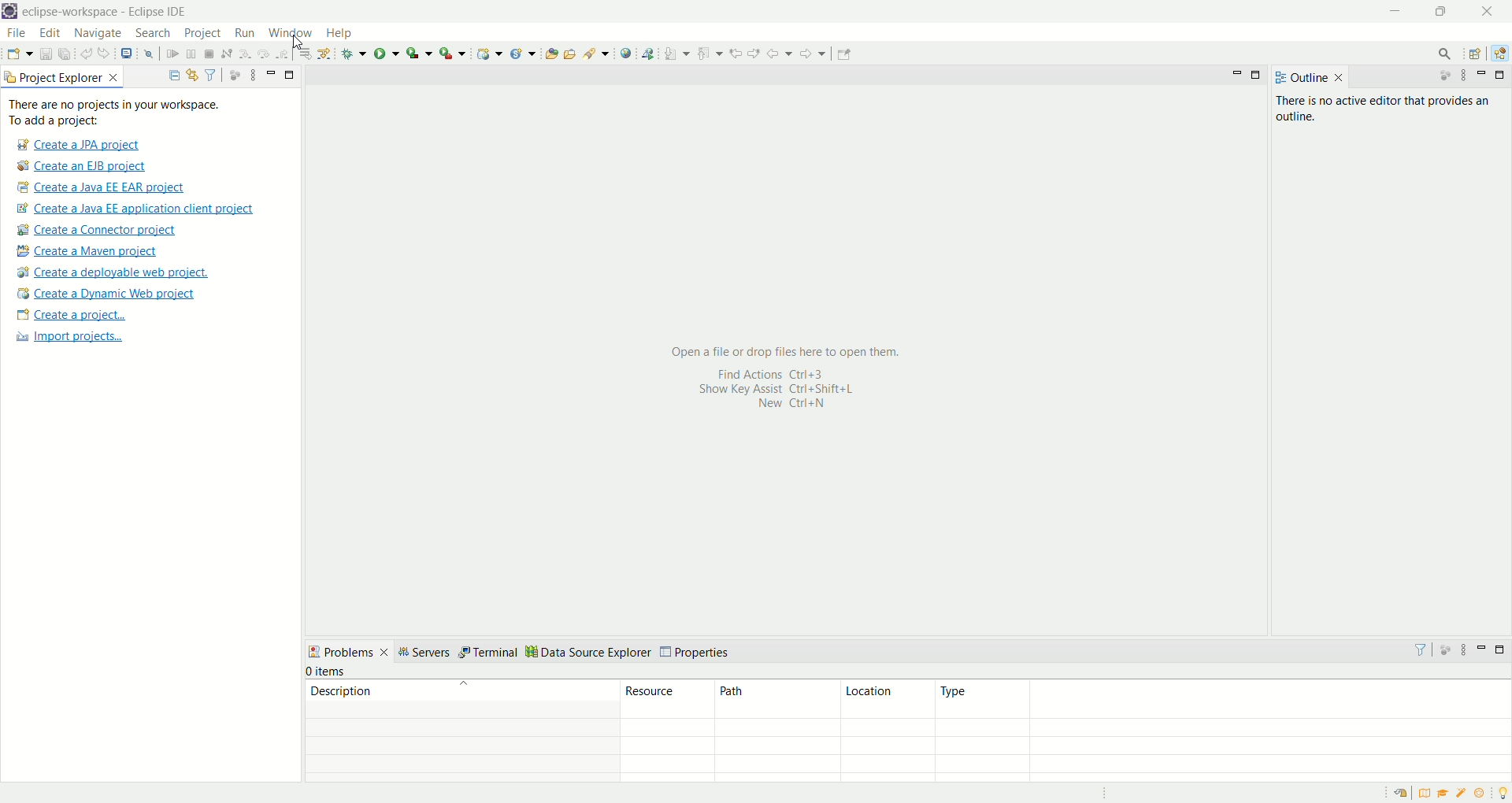  What do you see at coordinates (209, 55) in the screenshot?
I see `terminate` at bounding box center [209, 55].